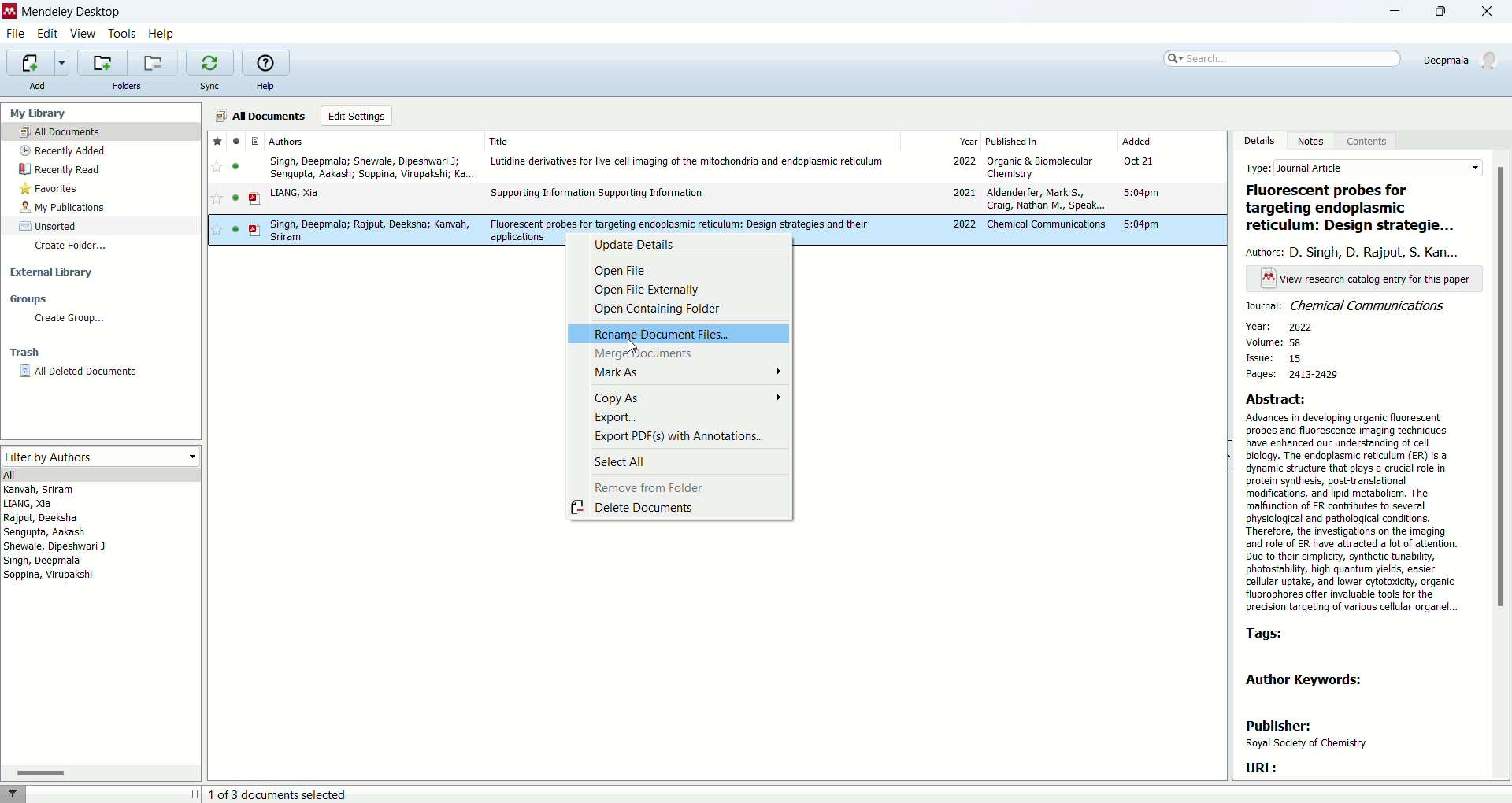  What do you see at coordinates (257, 229) in the screenshot?
I see `document` at bounding box center [257, 229].